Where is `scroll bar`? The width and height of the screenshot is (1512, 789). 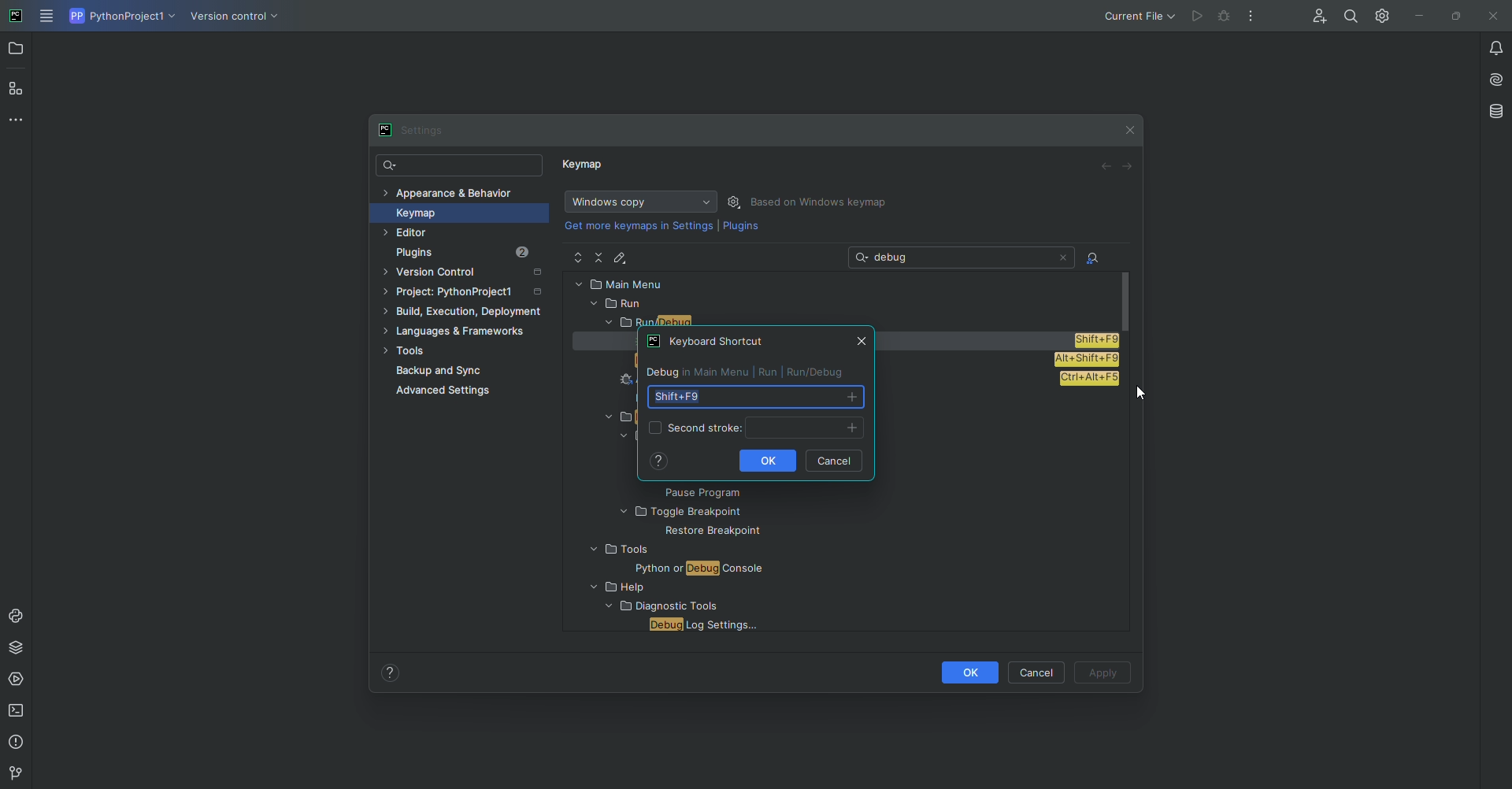
scroll bar is located at coordinates (1128, 299).